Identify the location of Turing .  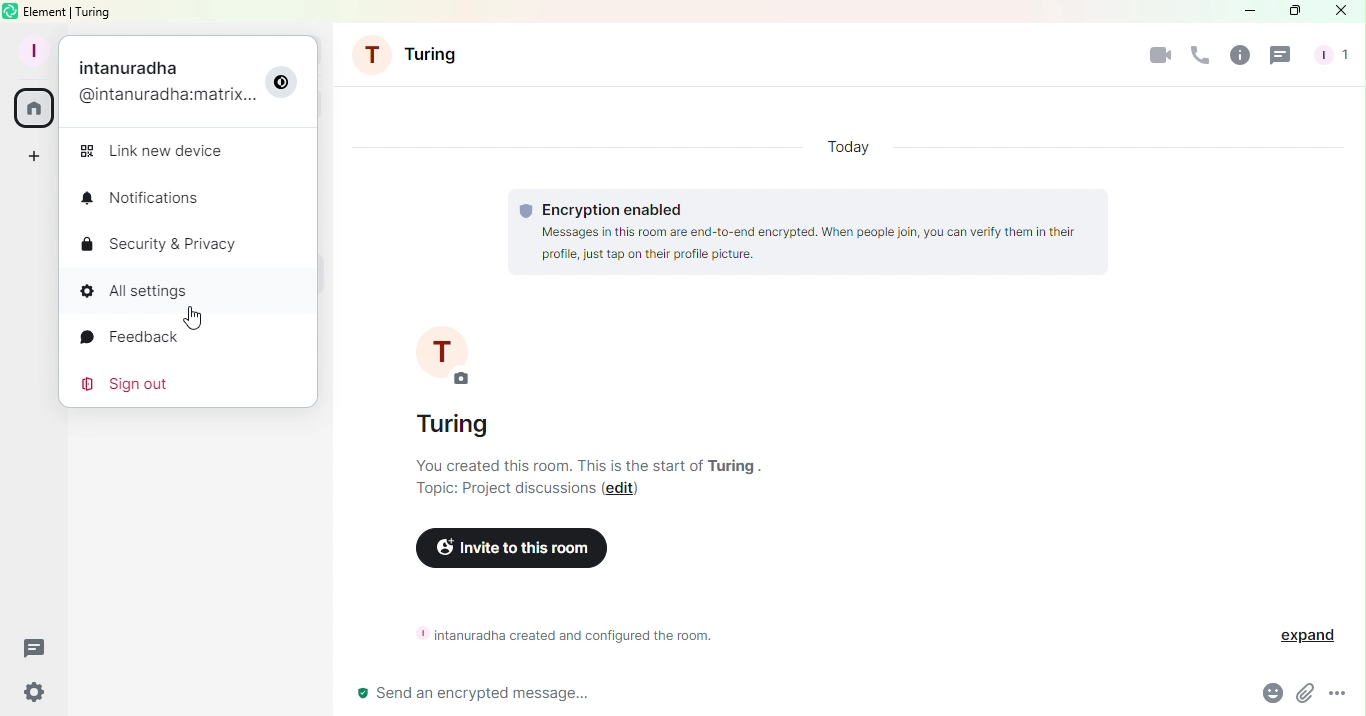
(413, 54).